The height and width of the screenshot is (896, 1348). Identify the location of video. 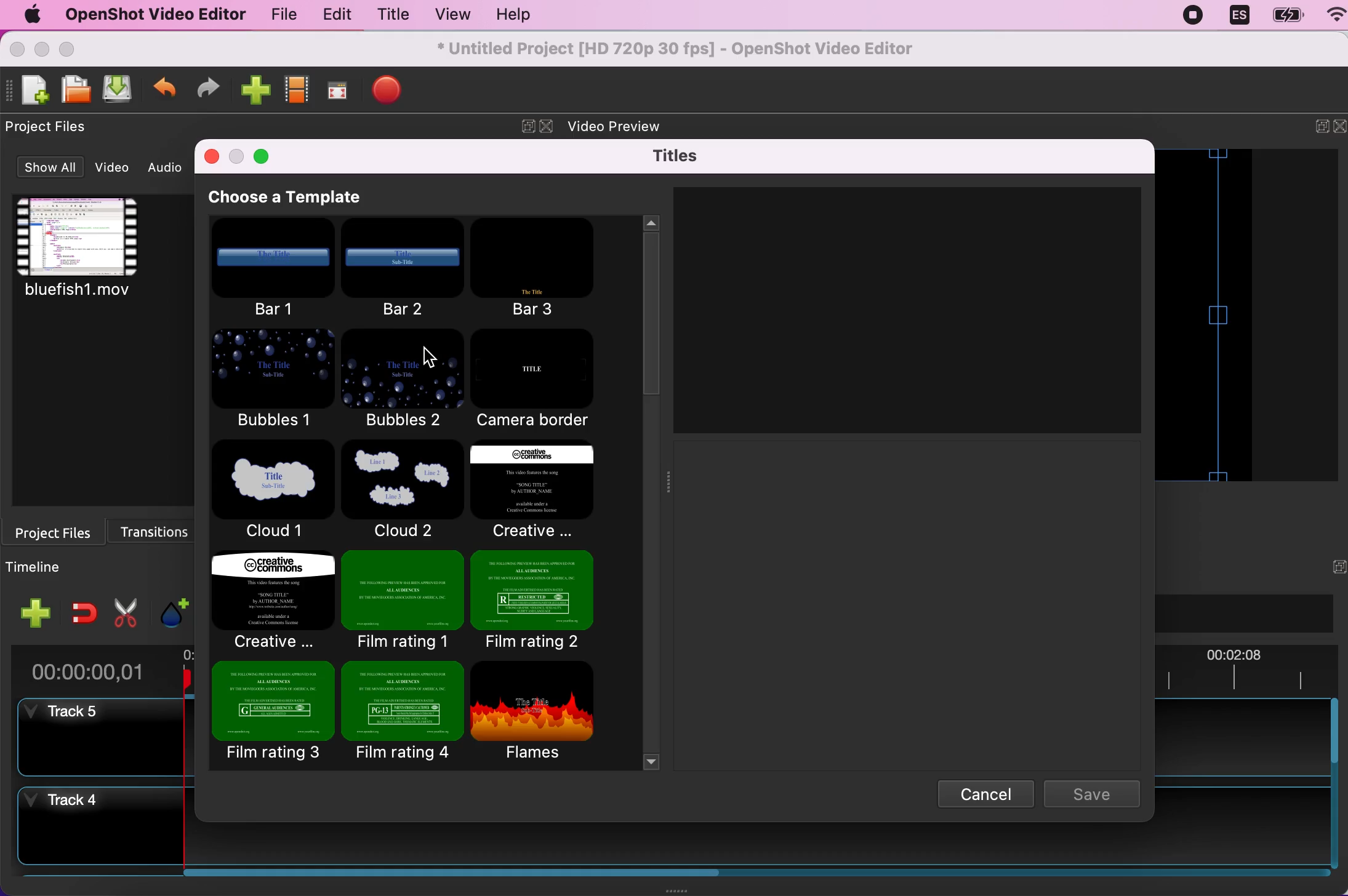
(100, 257).